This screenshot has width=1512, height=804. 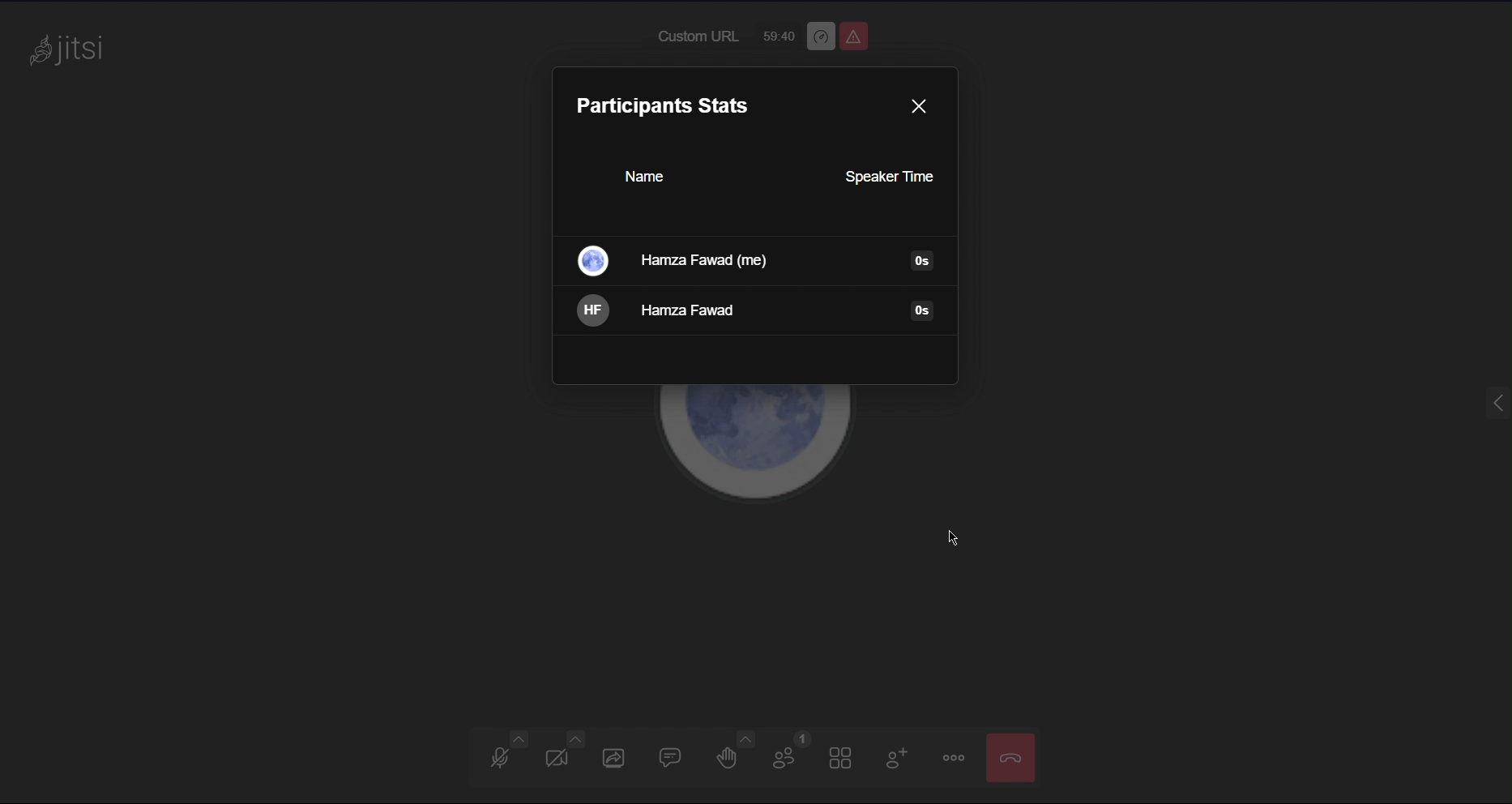 I want to click on menu, so click(x=1485, y=403).